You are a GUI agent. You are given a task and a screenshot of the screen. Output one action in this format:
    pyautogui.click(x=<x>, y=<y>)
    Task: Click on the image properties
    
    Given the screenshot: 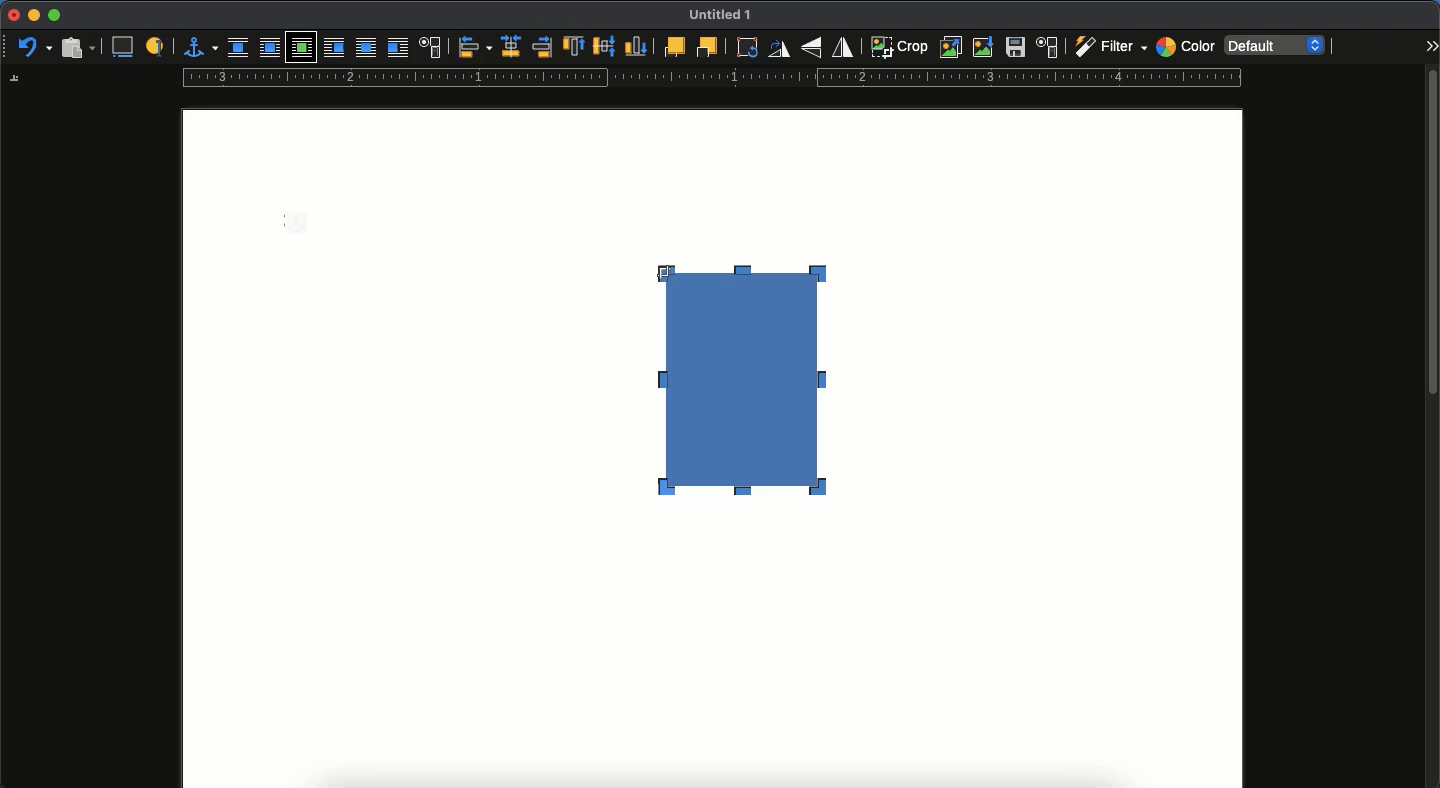 What is the action you would take?
    pyautogui.click(x=1048, y=47)
    